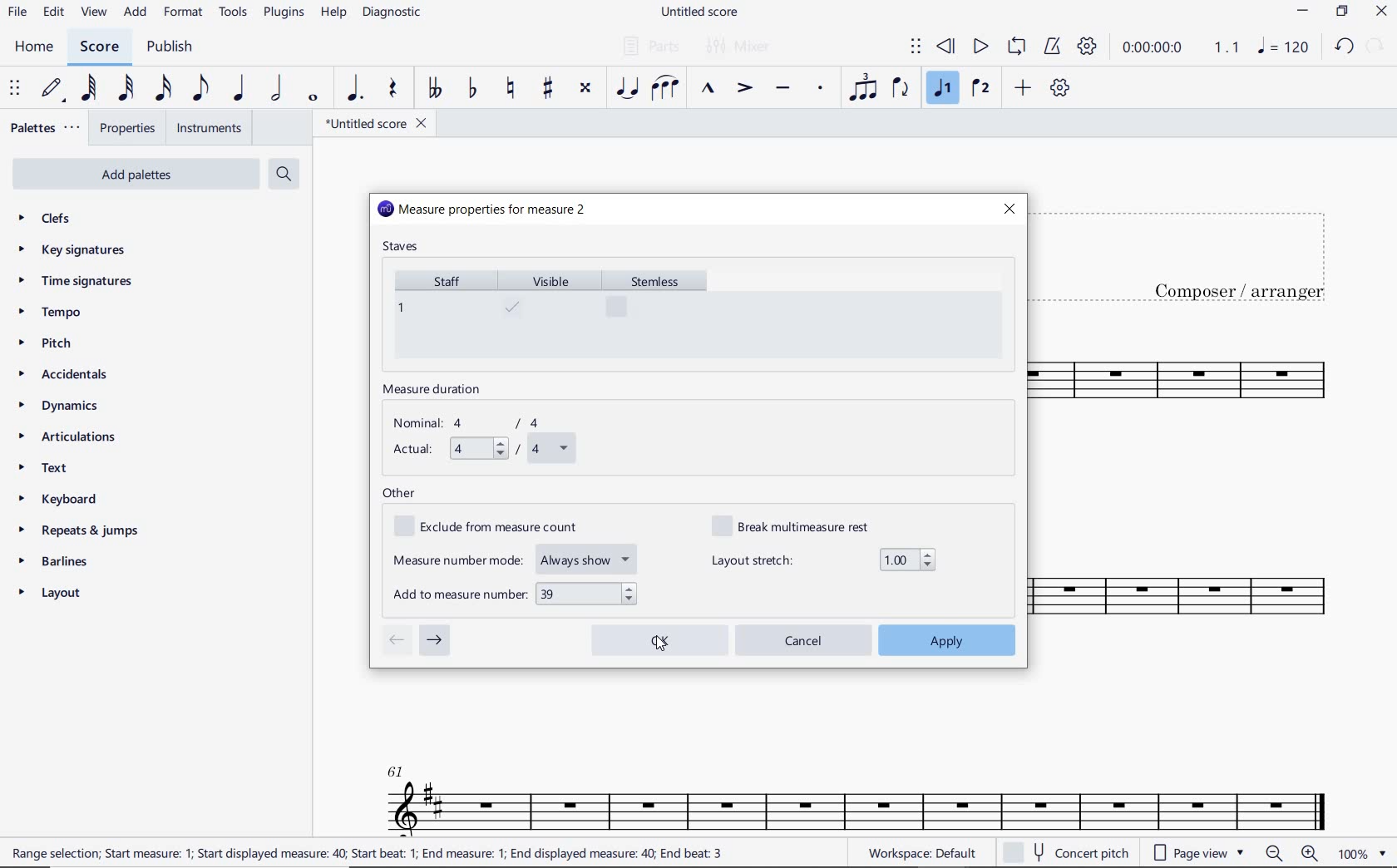 The image size is (1397, 868). I want to click on REDO, so click(1376, 47).